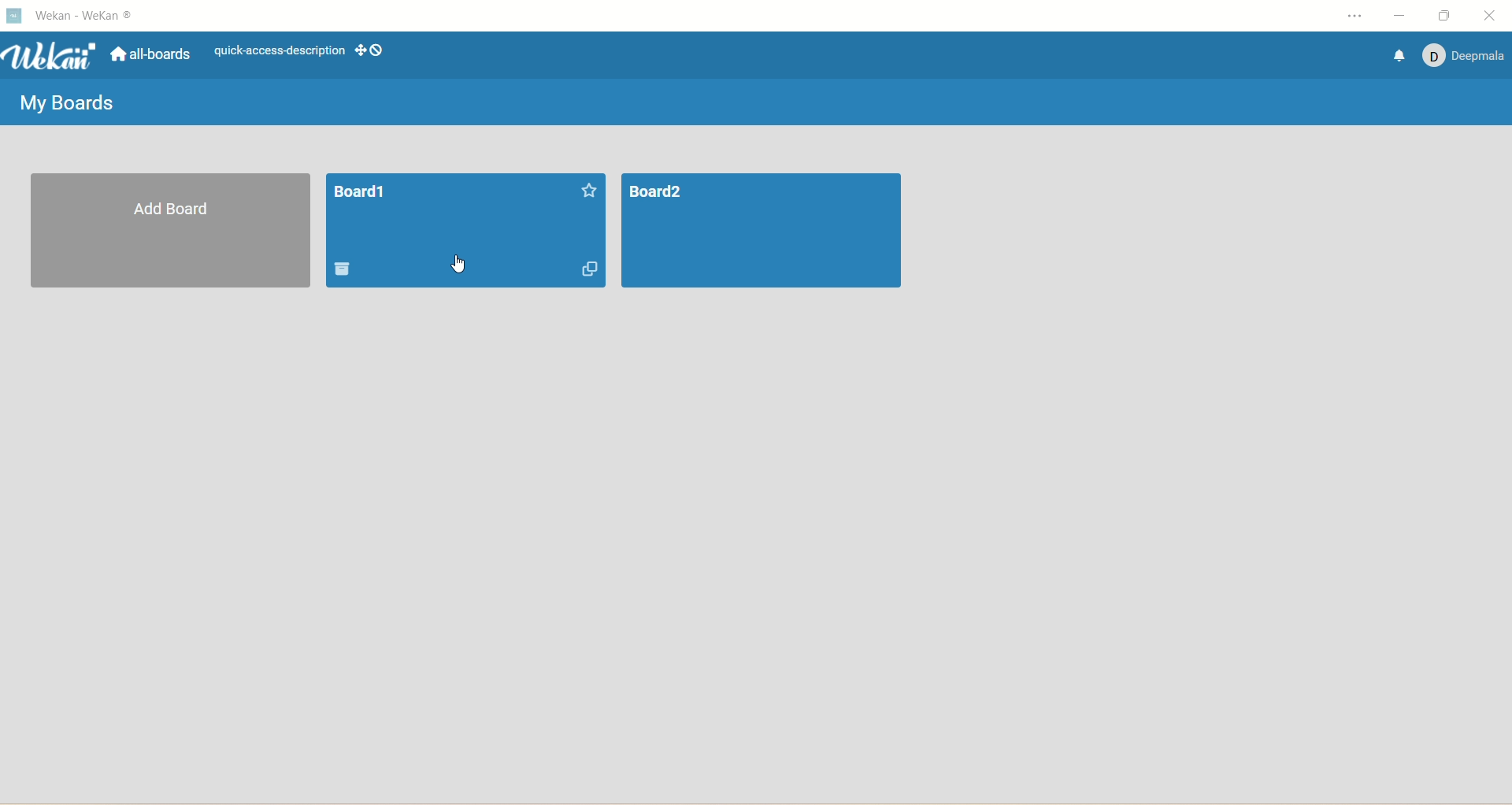 Image resolution: width=1512 pixels, height=805 pixels. Describe the element at coordinates (587, 189) in the screenshot. I see `favorite` at that location.